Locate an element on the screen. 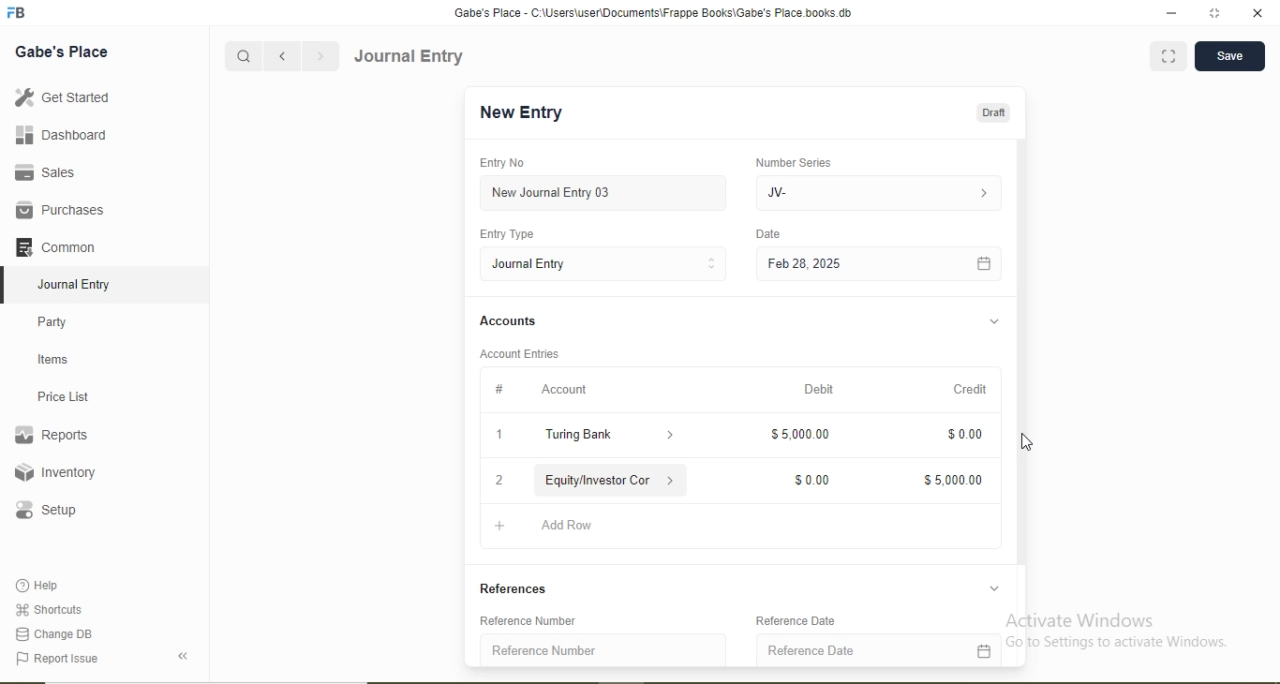 This screenshot has height=684, width=1280. full screen is located at coordinates (1215, 13).